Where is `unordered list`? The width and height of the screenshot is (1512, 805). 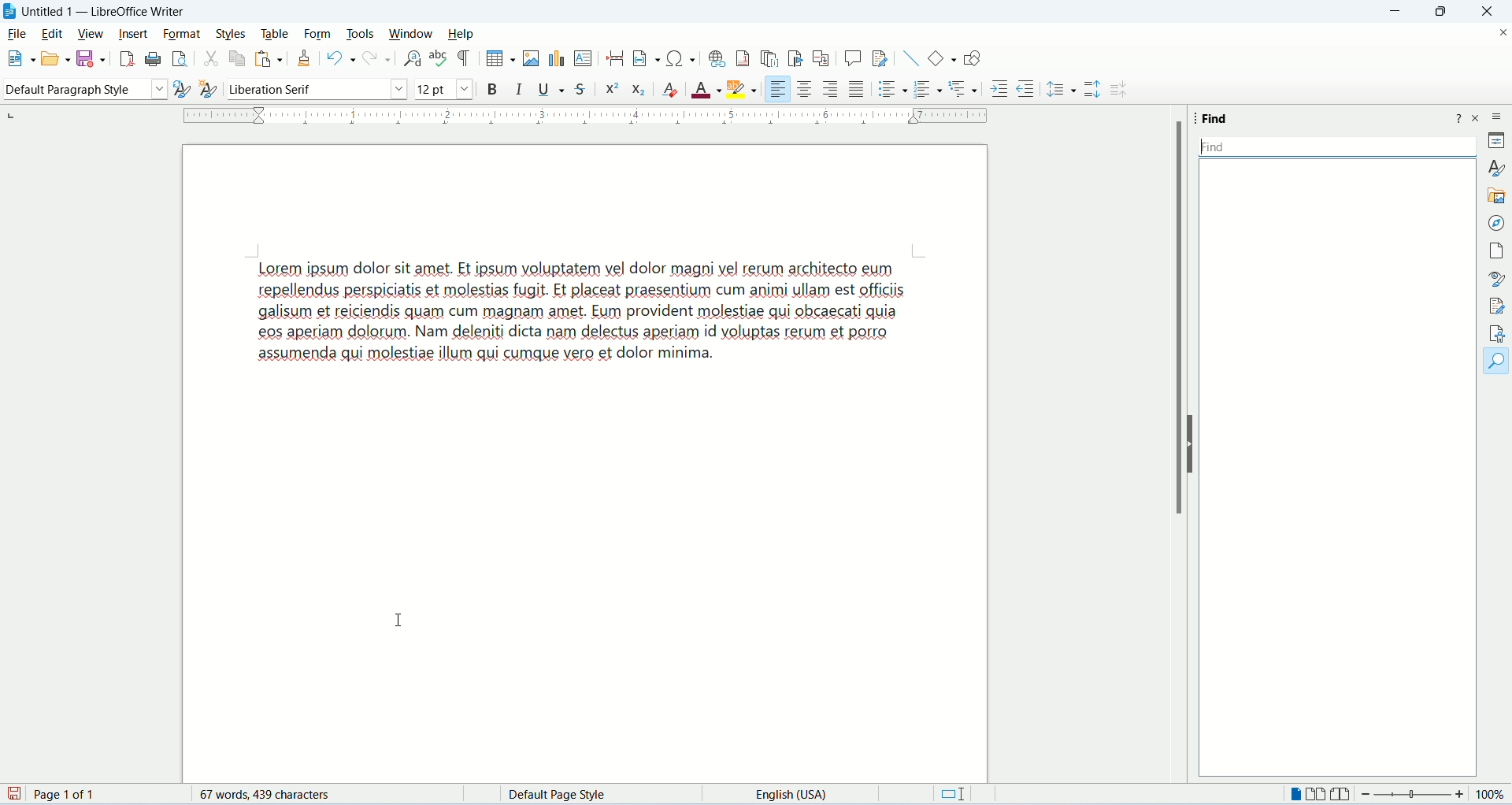 unordered list is located at coordinates (887, 90).